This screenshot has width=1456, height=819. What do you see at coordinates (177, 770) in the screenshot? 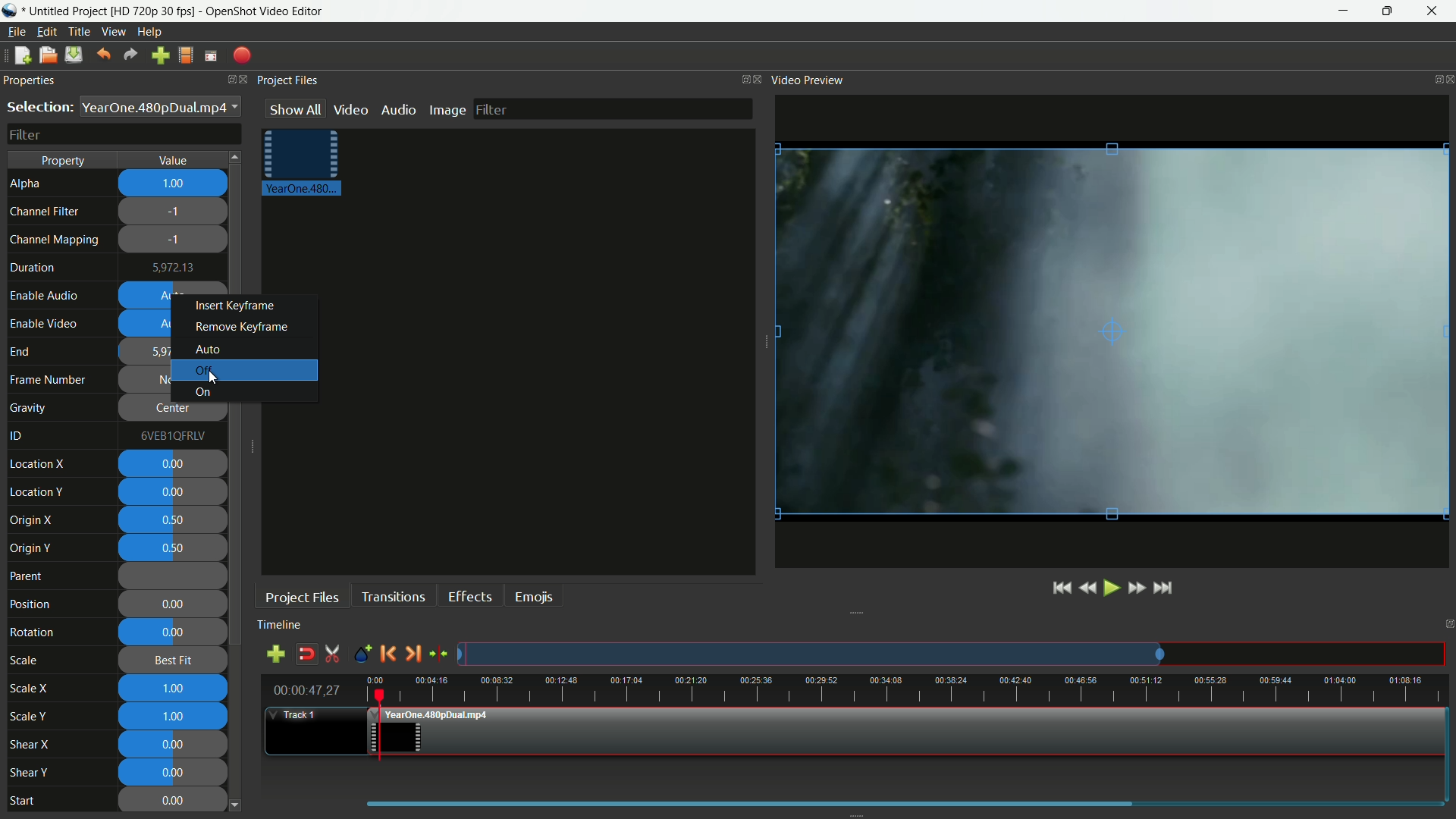
I see `0.00` at bounding box center [177, 770].